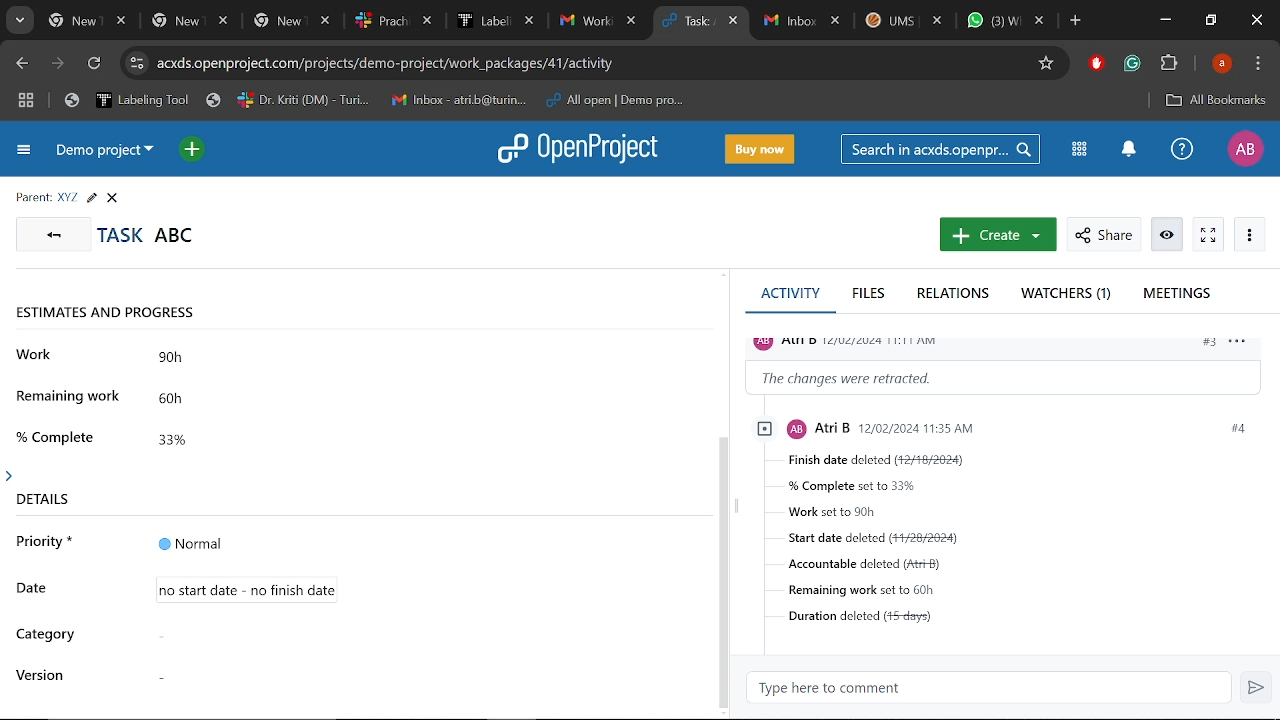 This screenshot has width=1280, height=720. Describe the element at coordinates (194, 152) in the screenshot. I see `Open quick add menu` at that location.